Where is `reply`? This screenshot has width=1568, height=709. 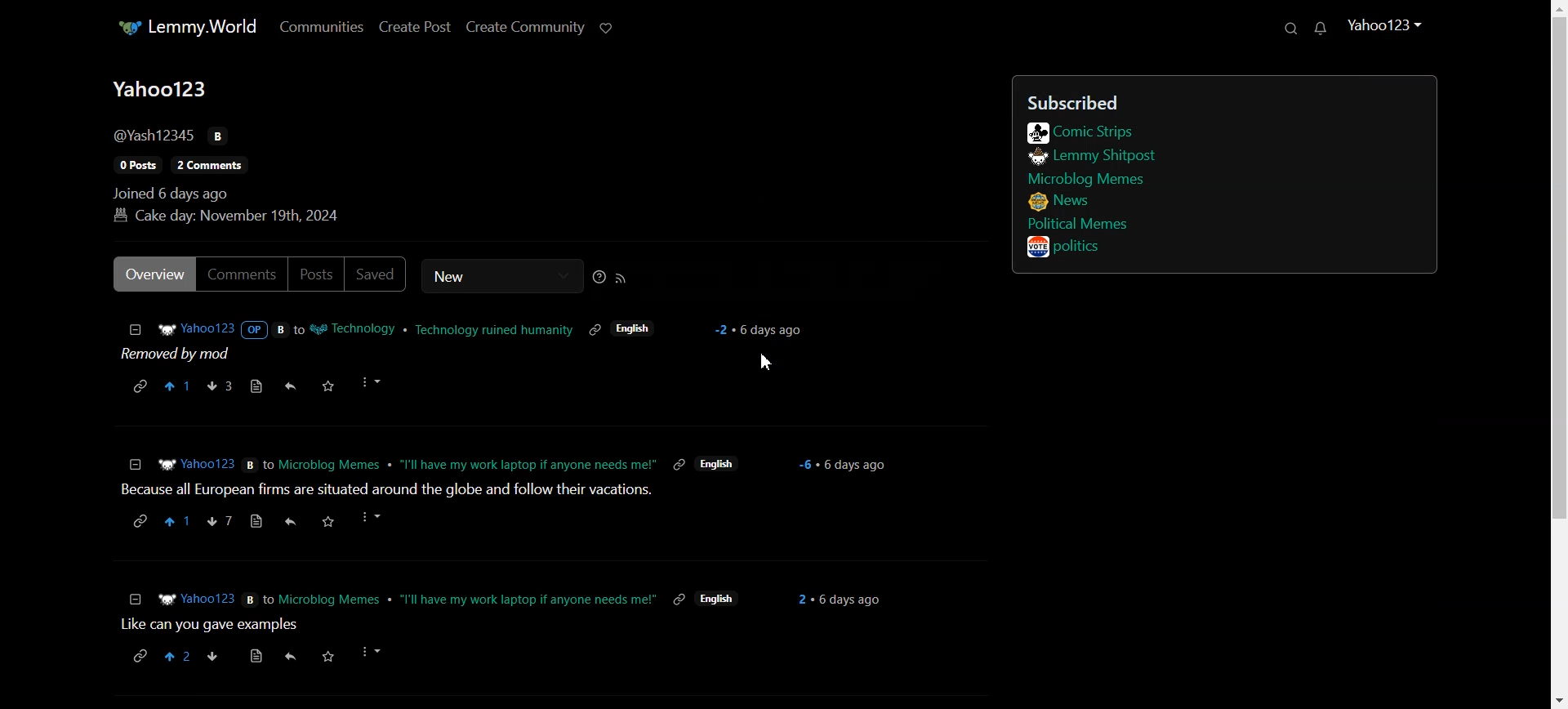
reply is located at coordinates (289, 658).